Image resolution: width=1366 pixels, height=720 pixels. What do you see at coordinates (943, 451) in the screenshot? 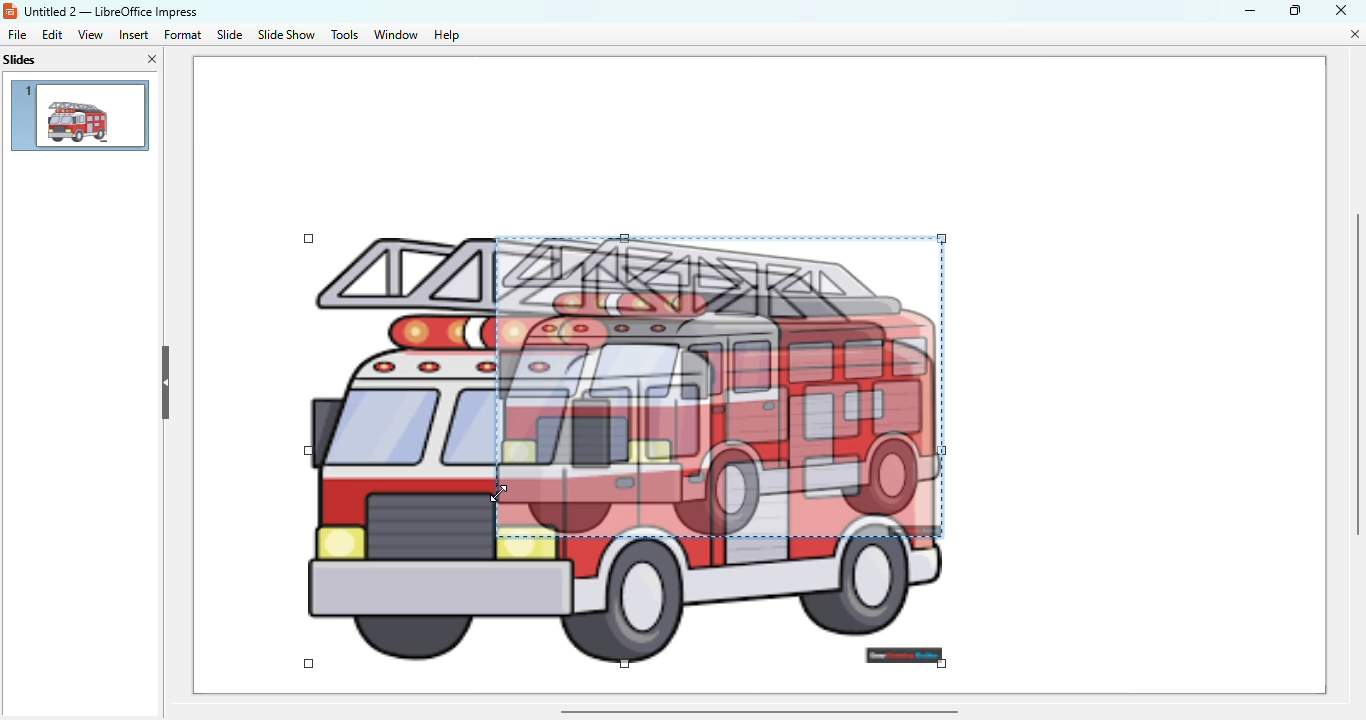
I see `corner handles` at bounding box center [943, 451].